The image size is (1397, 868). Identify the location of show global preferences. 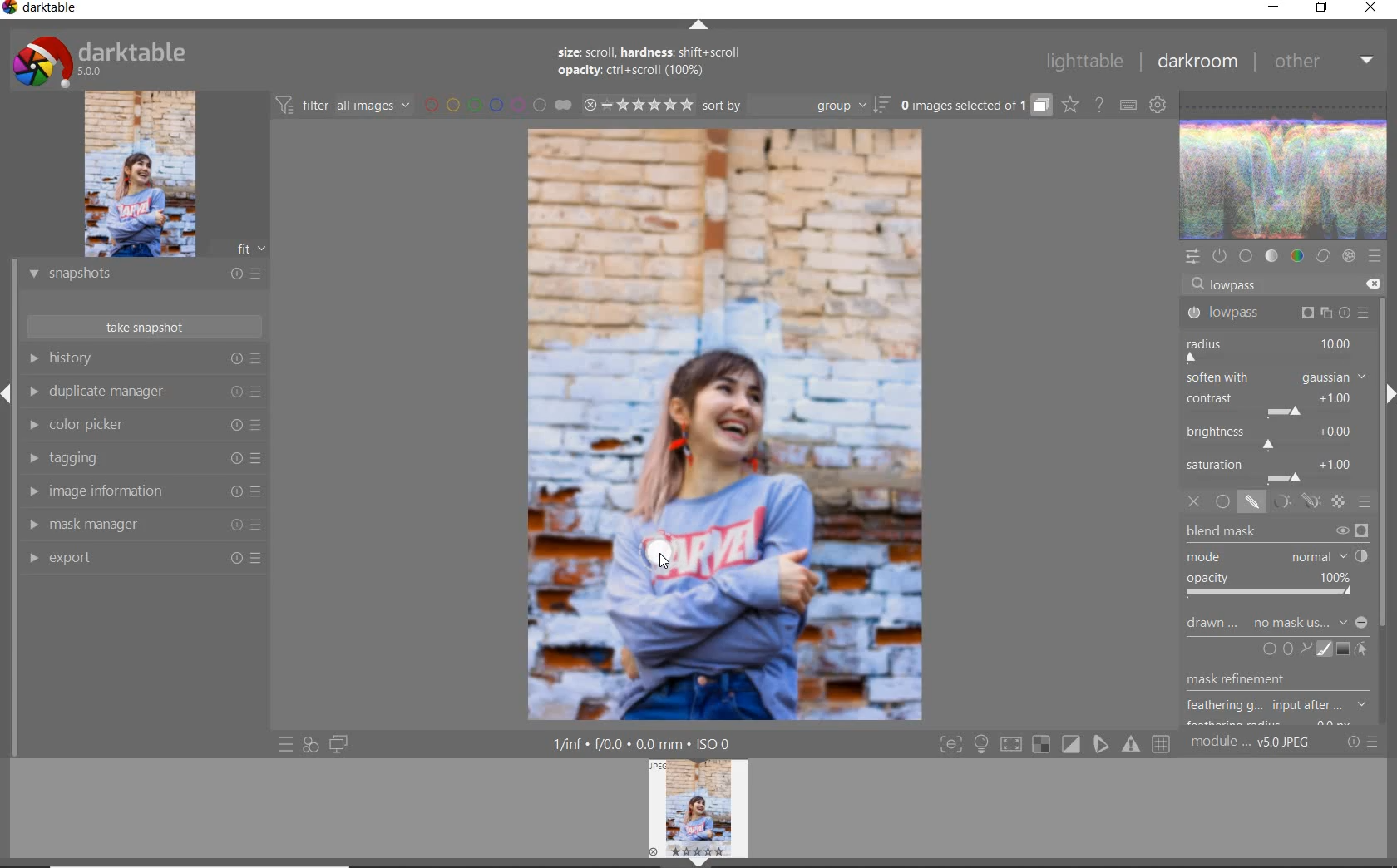
(1158, 106).